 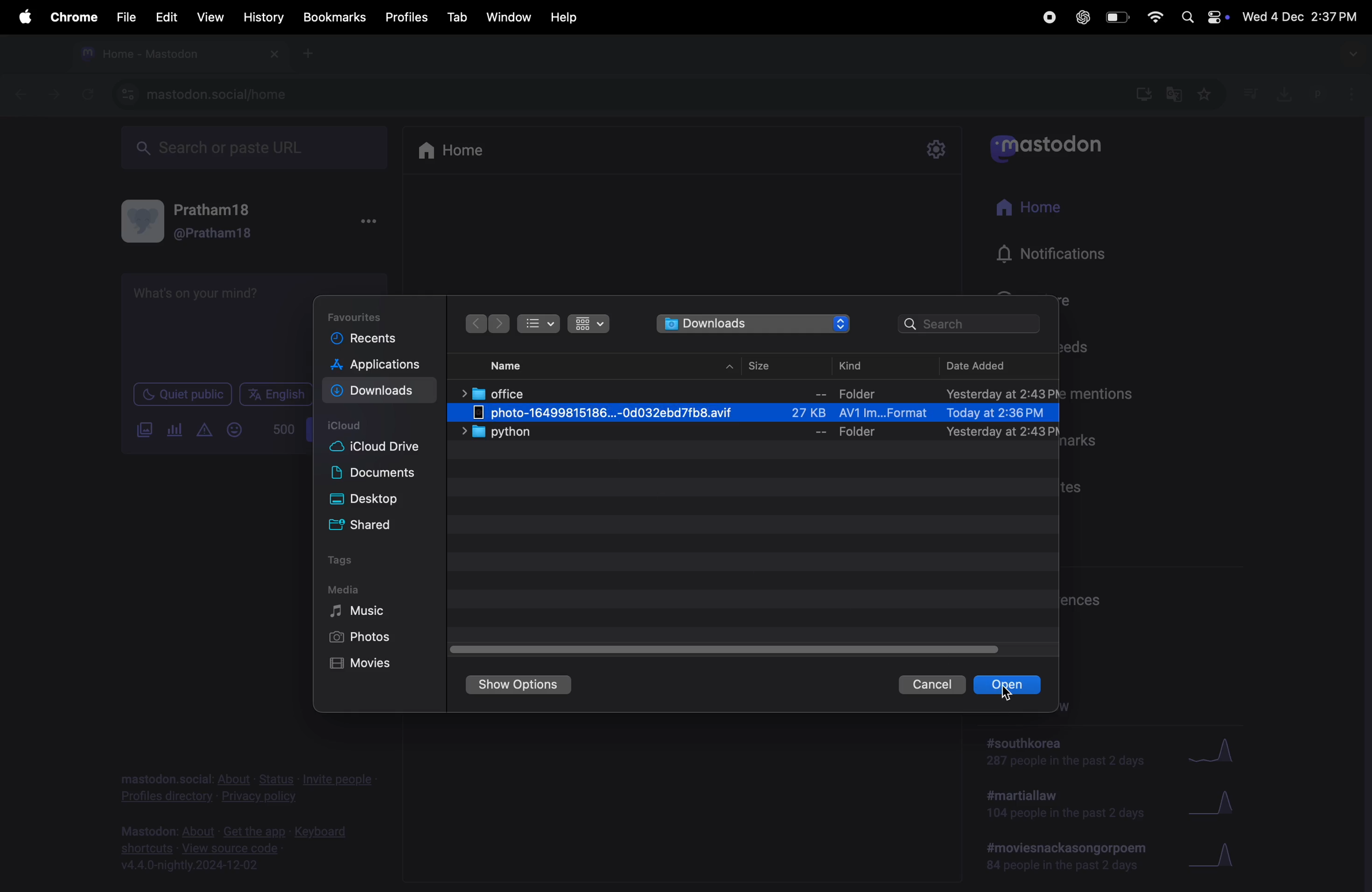 What do you see at coordinates (1203, 16) in the screenshot?
I see `apple widgets` at bounding box center [1203, 16].